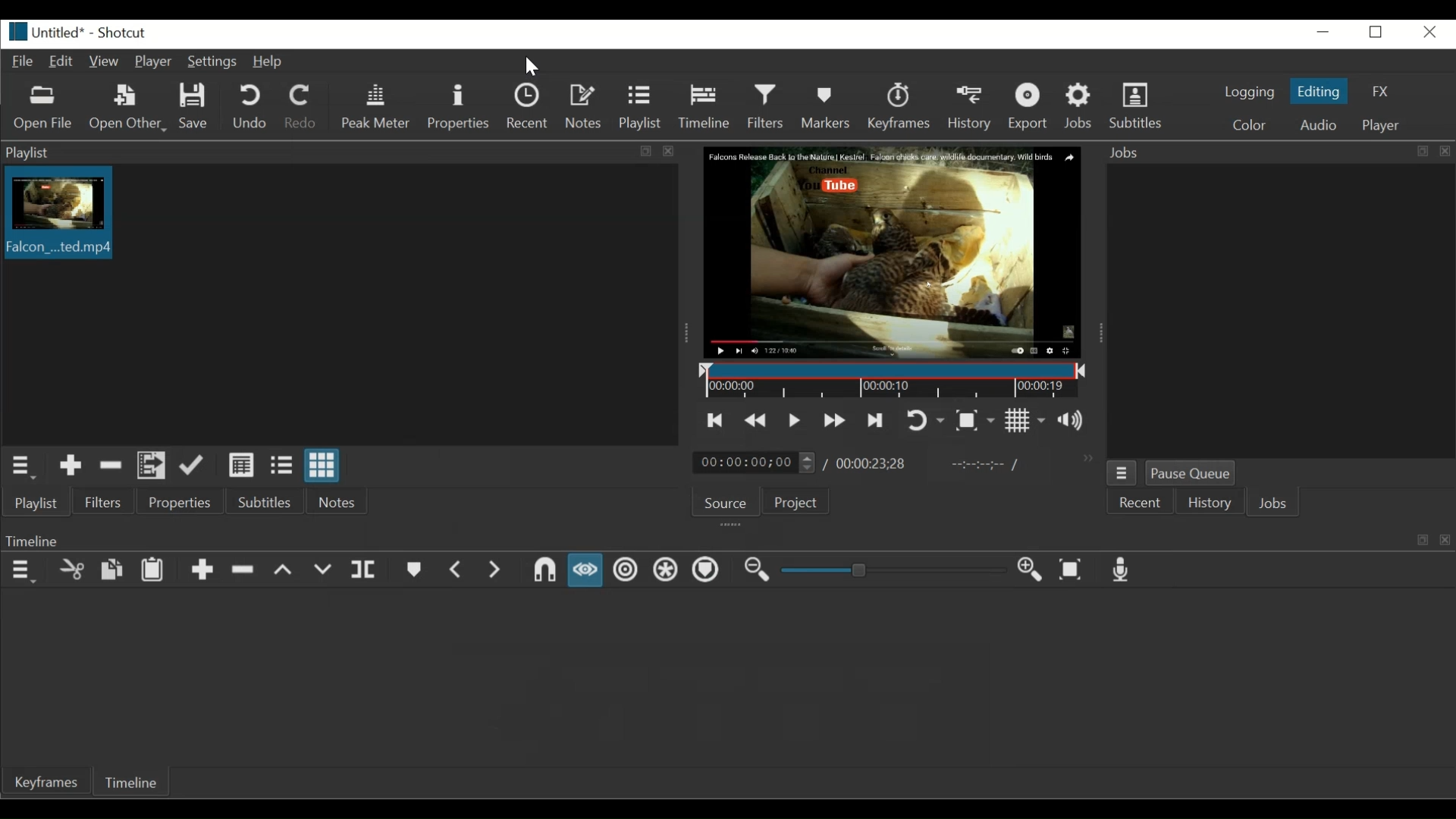 This screenshot has width=1456, height=819. What do you see at coordinates (708, 106) in the screenshot?
I see `Timeline` at bounding box center [708, 106].